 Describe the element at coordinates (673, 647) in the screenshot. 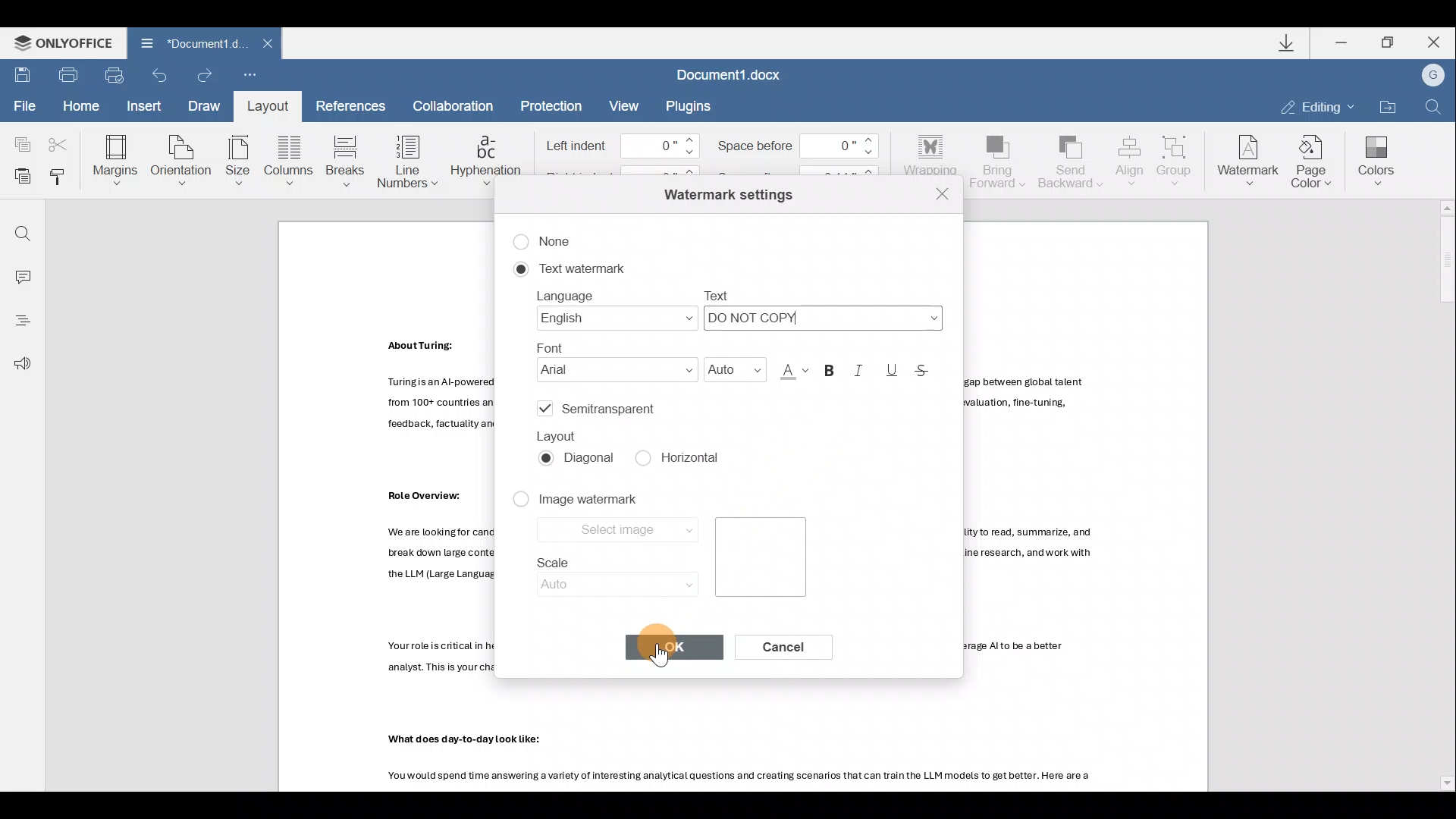

I see `OK` at that location.